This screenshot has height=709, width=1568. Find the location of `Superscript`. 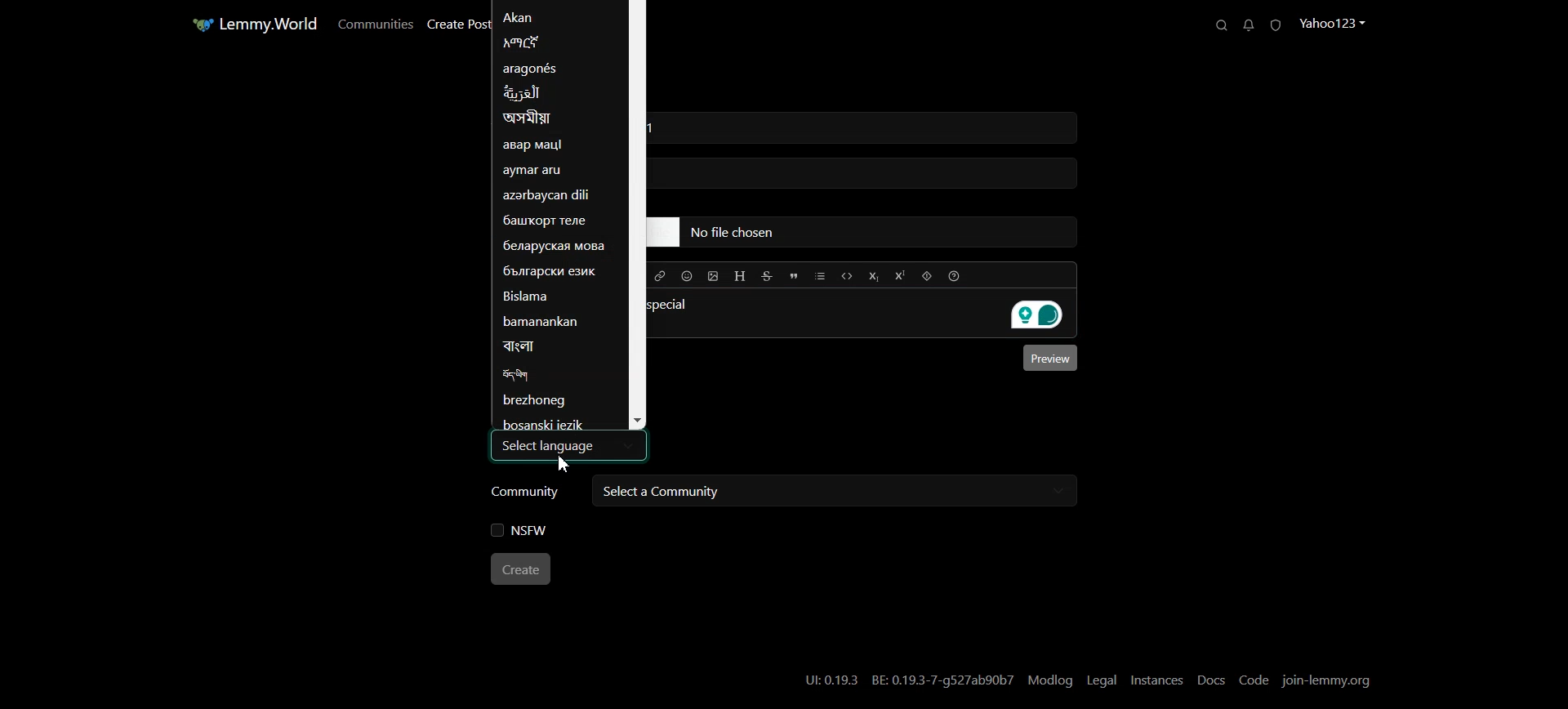

Superscript is located at coordinates (900, 275).